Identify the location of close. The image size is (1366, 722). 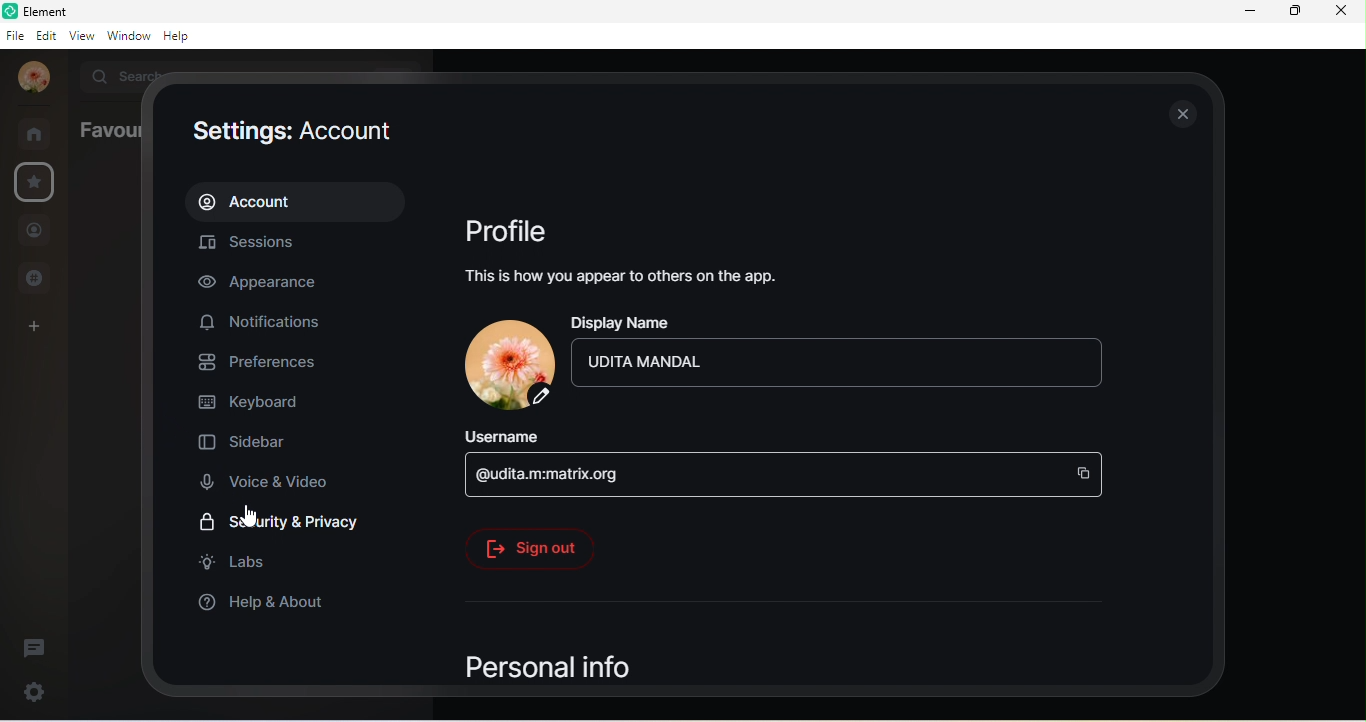
(1182, 113).